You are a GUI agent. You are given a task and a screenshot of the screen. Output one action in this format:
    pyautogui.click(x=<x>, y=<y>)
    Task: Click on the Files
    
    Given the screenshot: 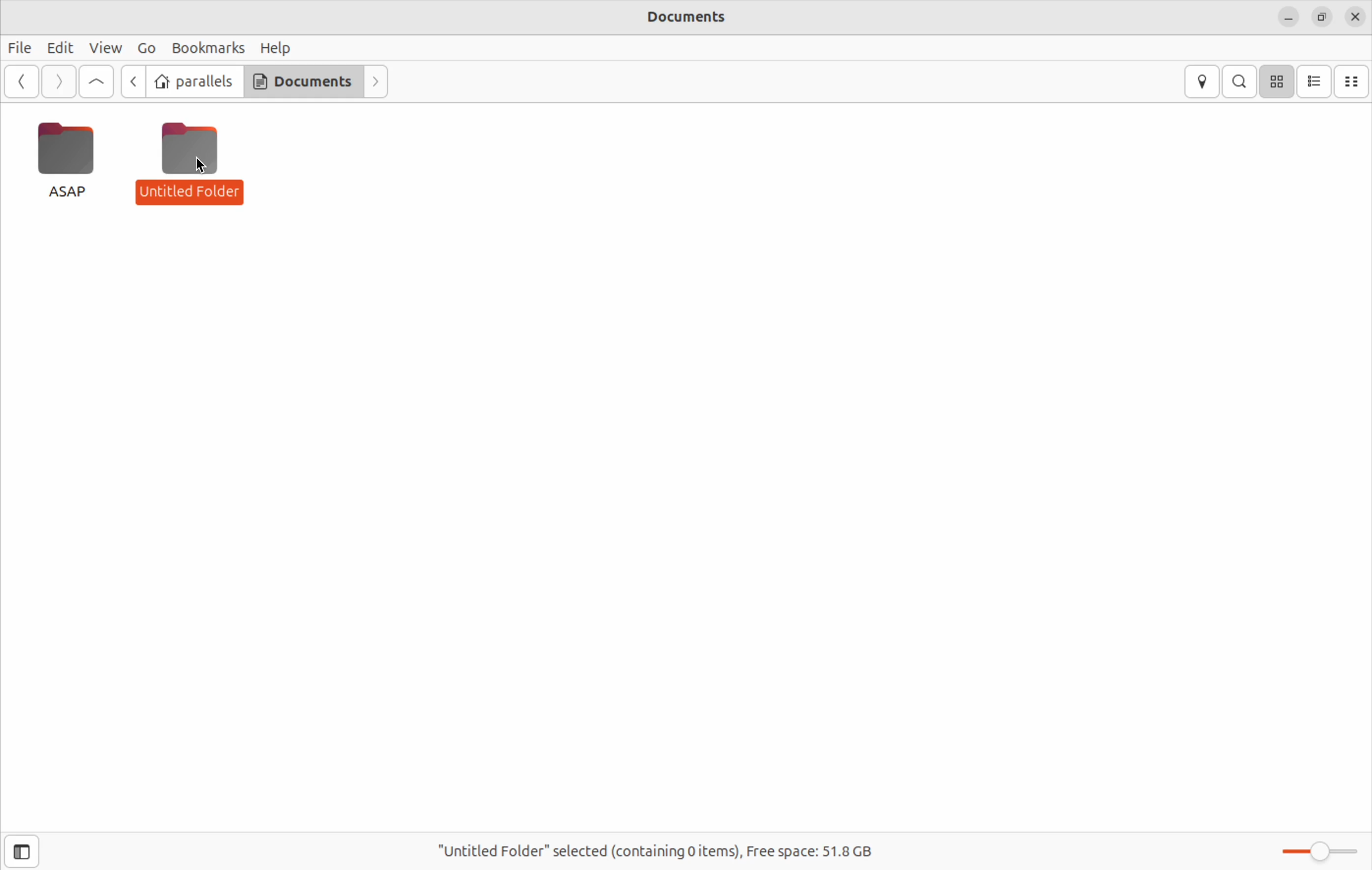 What is the action you would take?
    pyautogui.click(x=22, y=45)
    